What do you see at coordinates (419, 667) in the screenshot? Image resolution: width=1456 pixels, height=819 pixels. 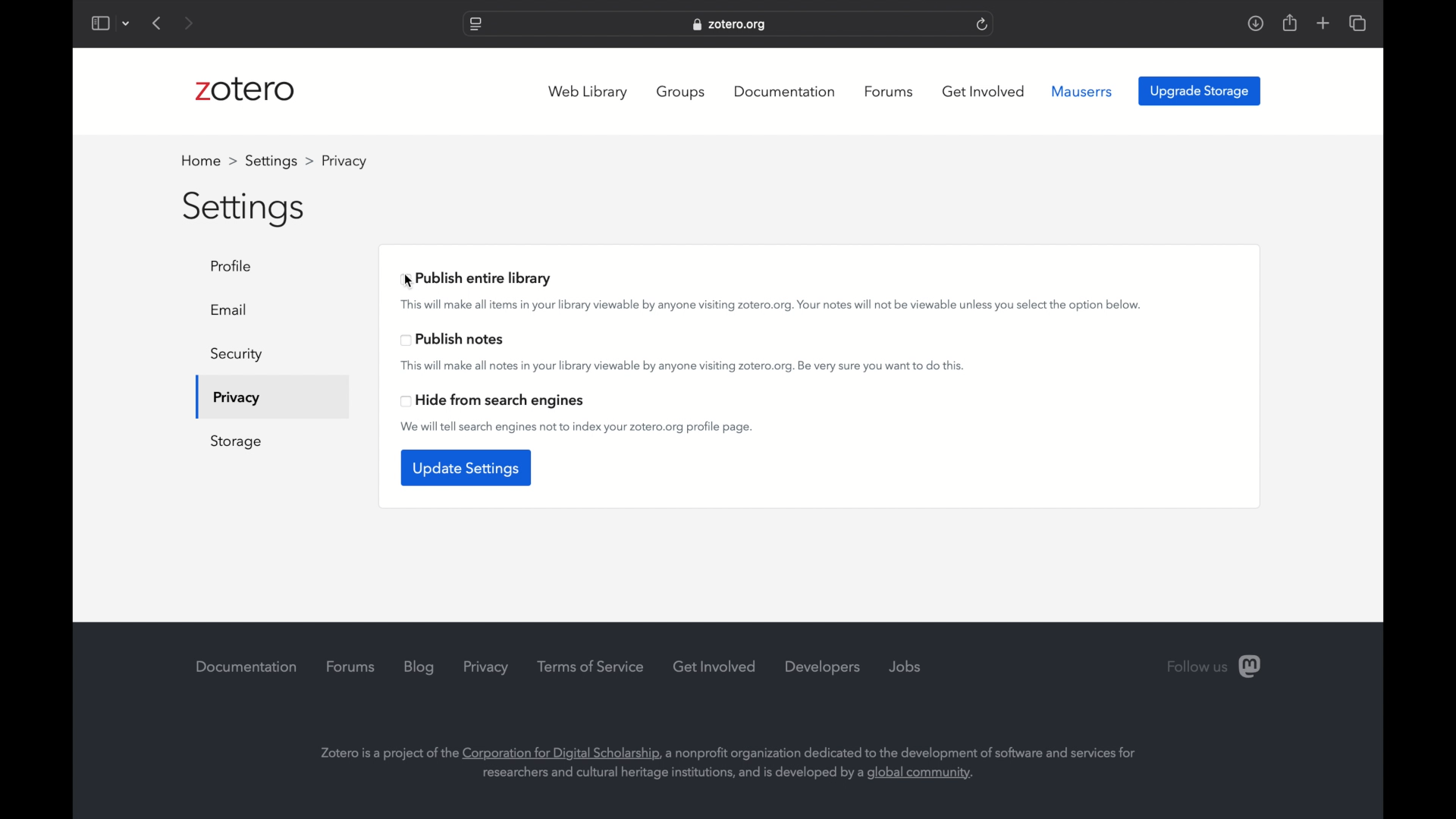 I see `blog` at bounding box center [419, 667].